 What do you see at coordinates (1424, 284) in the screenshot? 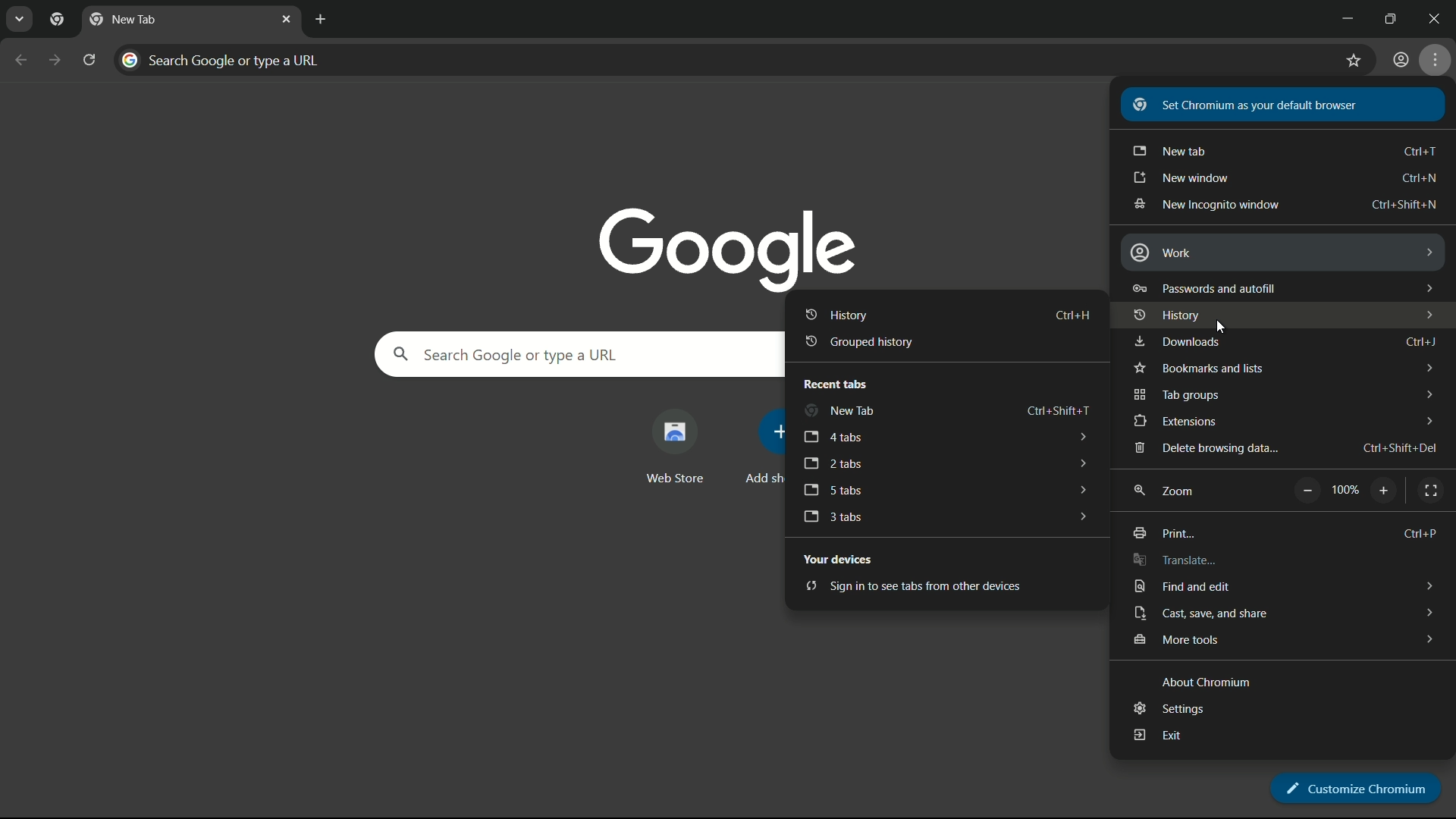
I see `dropdown arrows` at bounding box center [1424, 284].